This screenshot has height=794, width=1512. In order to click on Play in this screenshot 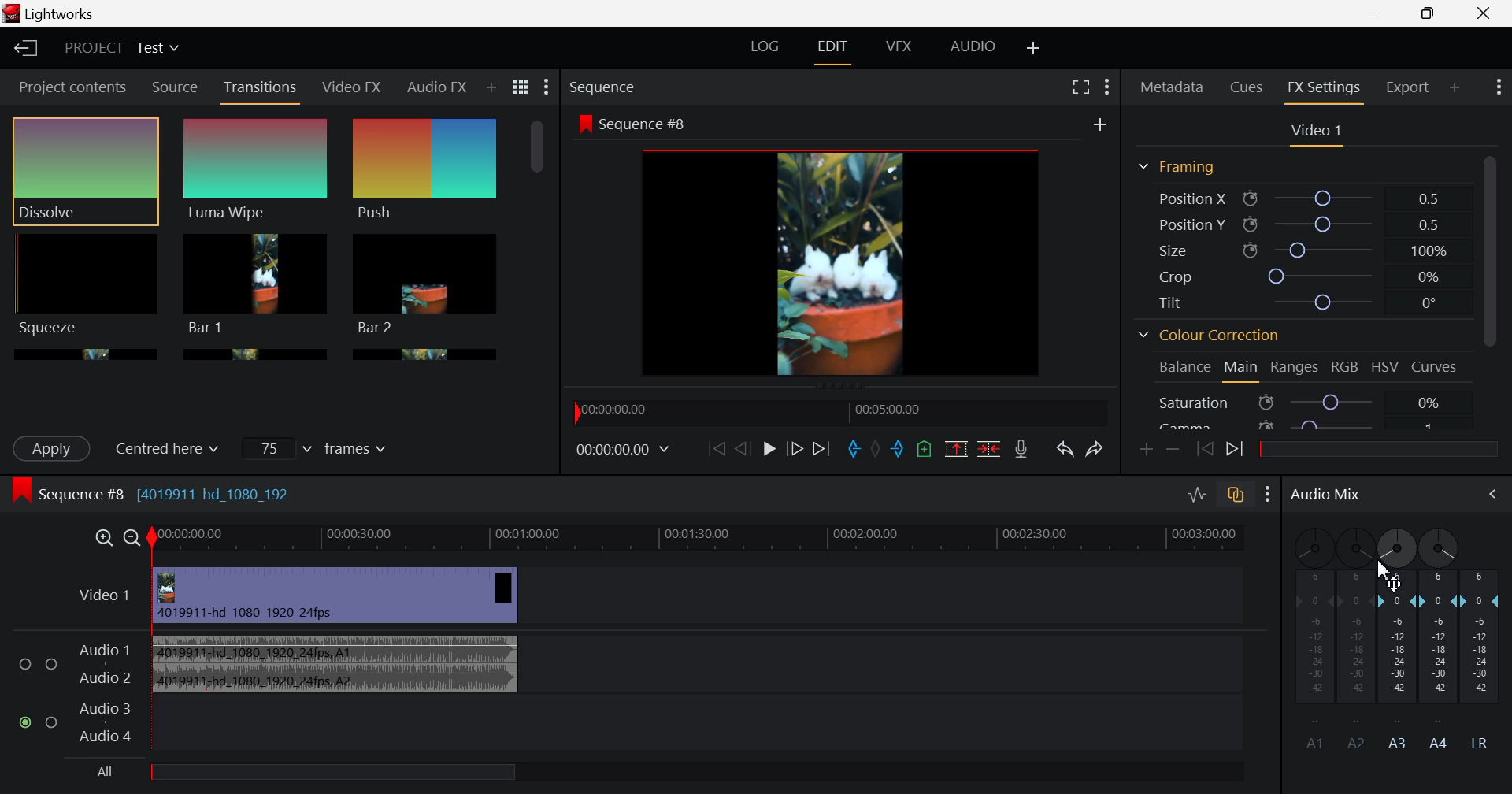, I will do `click(770, 448)`.